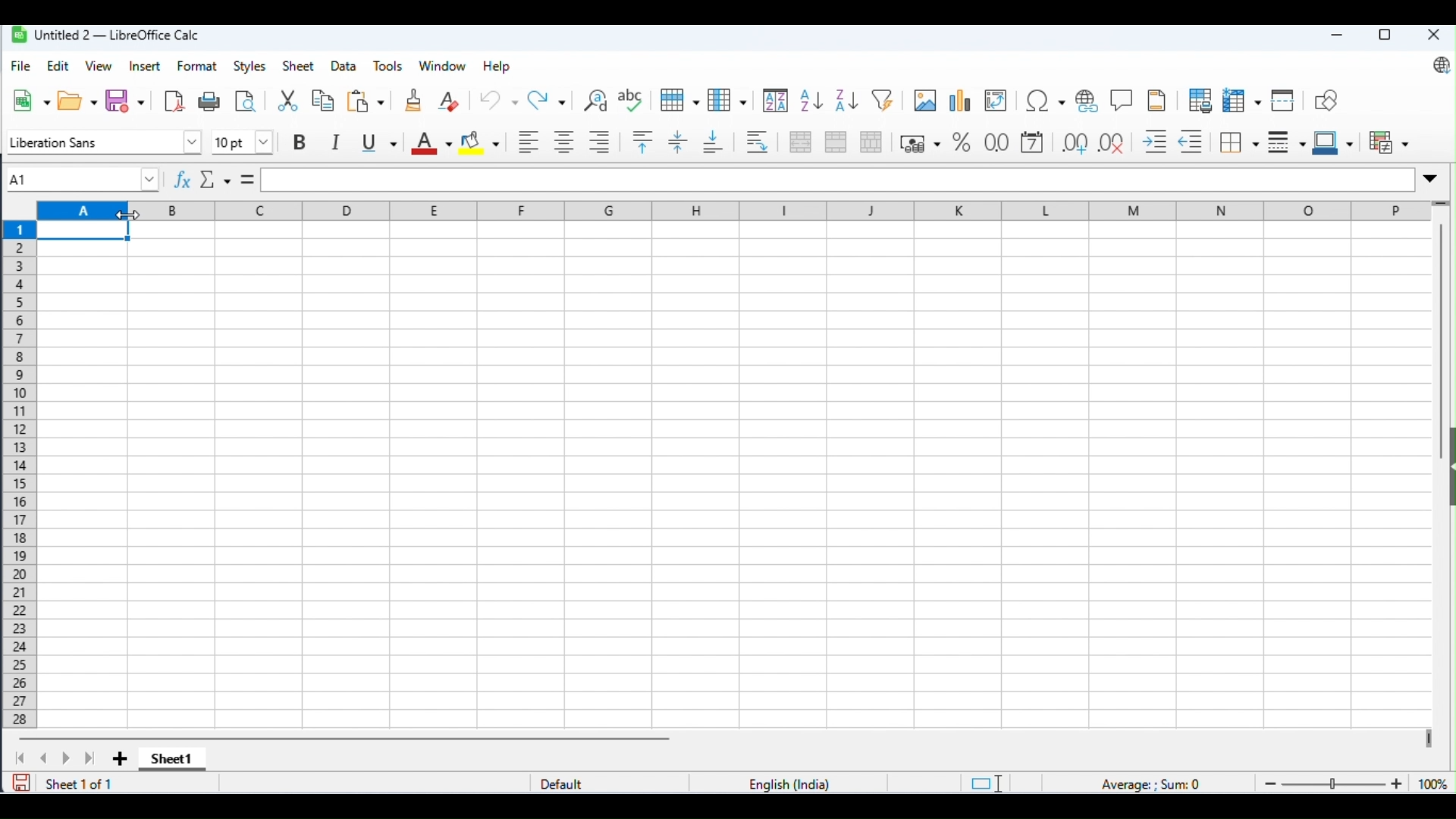 This screenshot has width=1456, height=819. I want to click on add decimal place, so click(1074, 142).